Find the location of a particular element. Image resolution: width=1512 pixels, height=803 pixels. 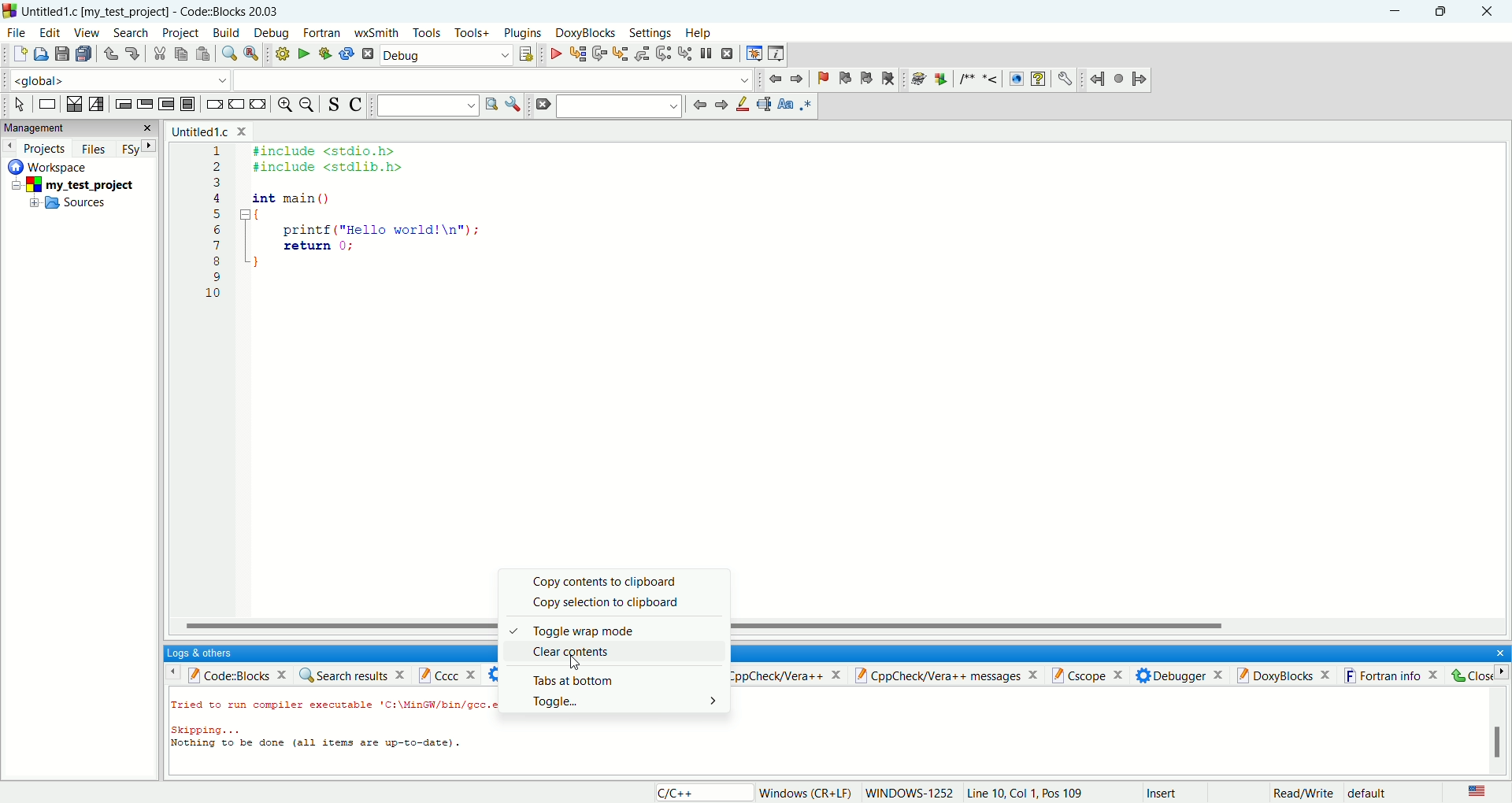

vertical scroll bar is located at coordinates (1499, 731).